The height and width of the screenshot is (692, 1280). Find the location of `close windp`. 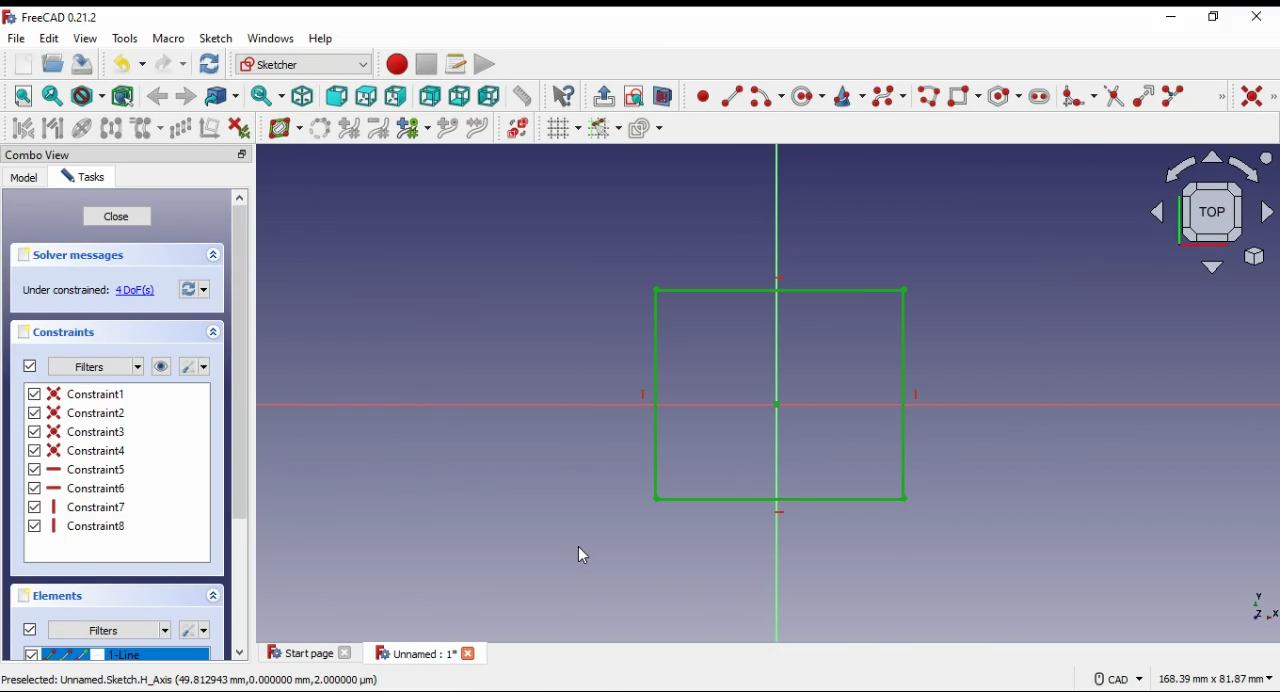

close windp is located at coordinates (1258, 16).